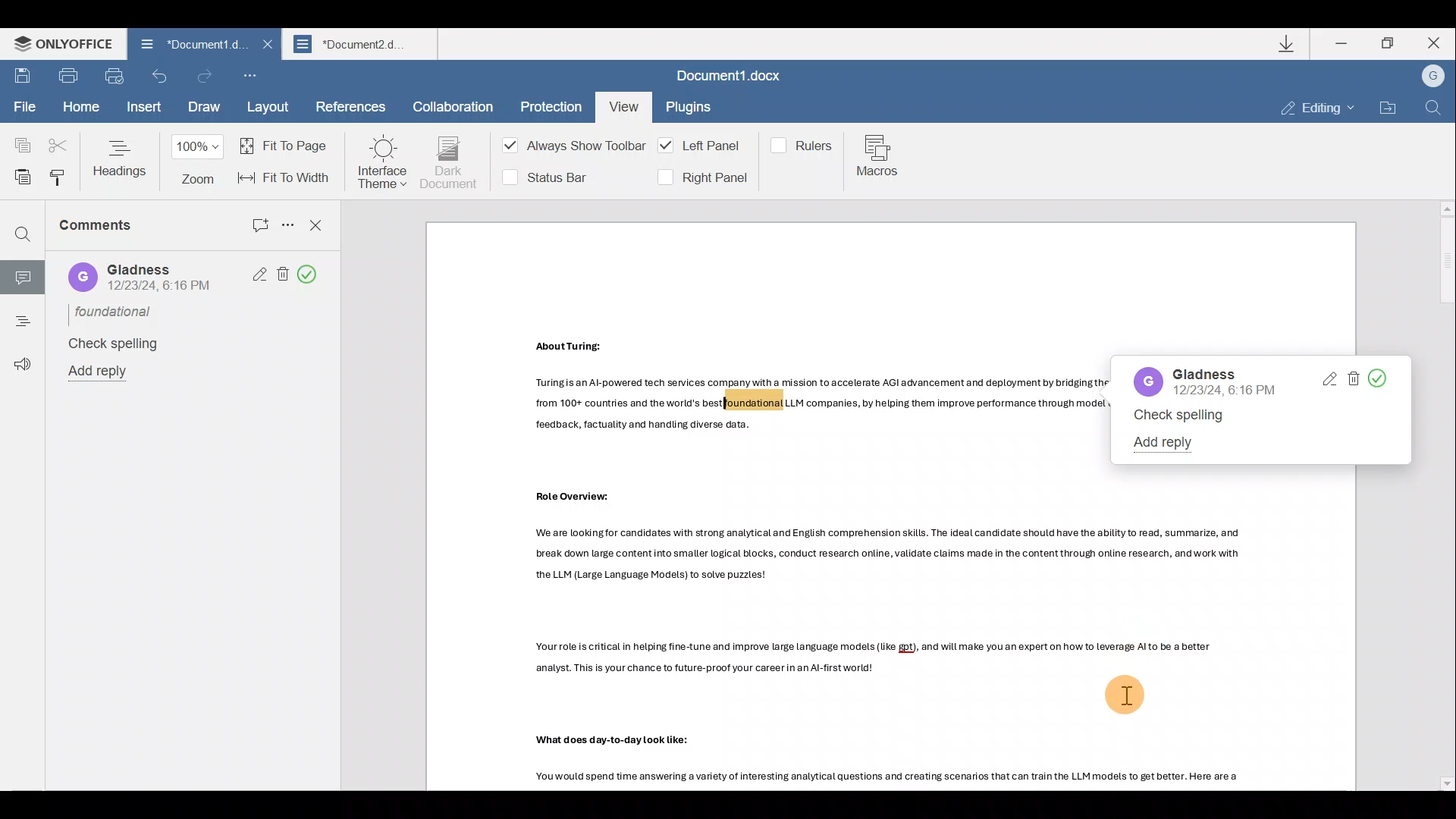  Describe the element at coordinates (569, 149) in the screenshot. I see `Always show toolbar` at that location.